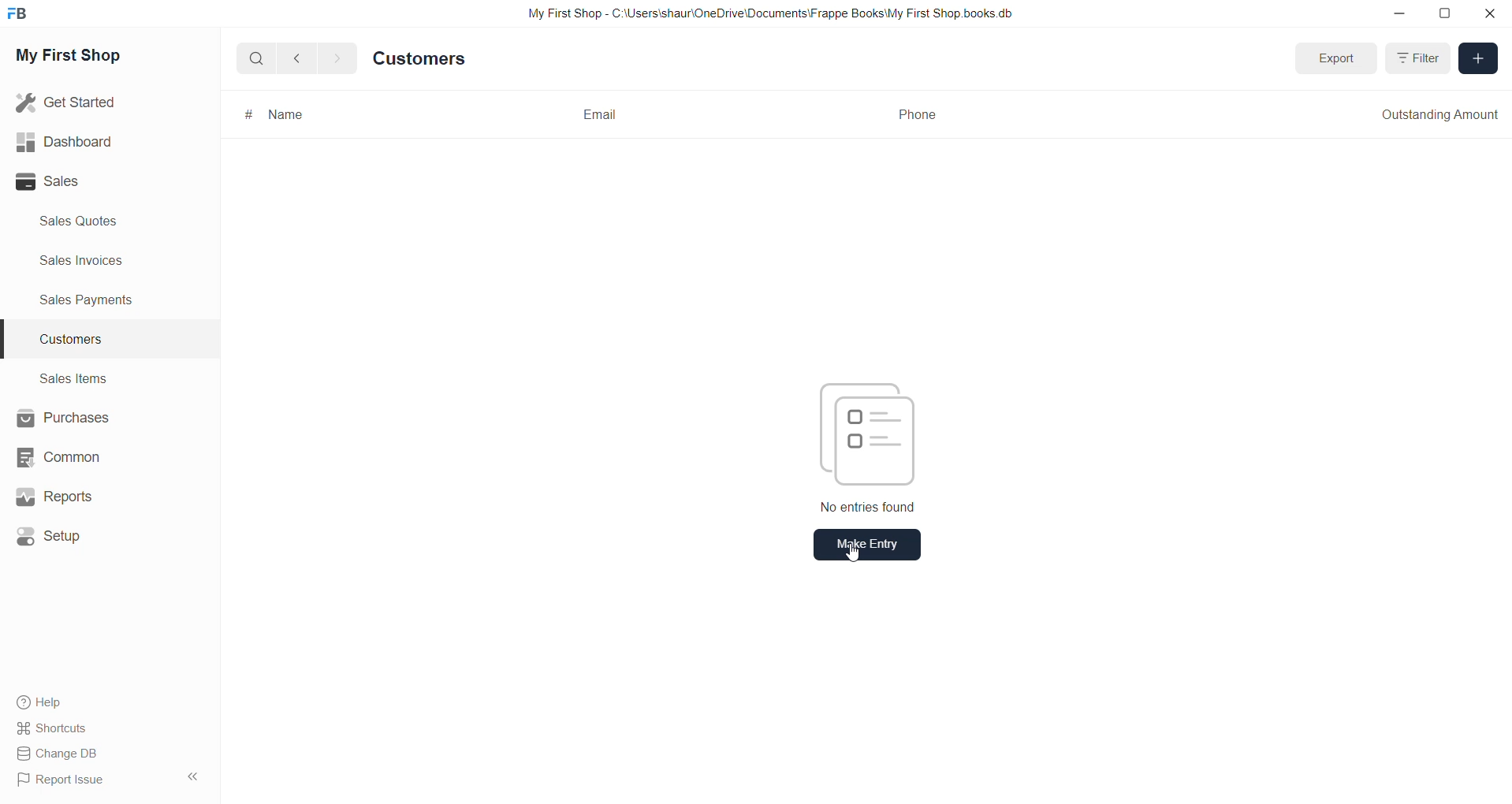  Describe the element at coordinates (426, 62) in the screenshot. I see `Customers` at that location.